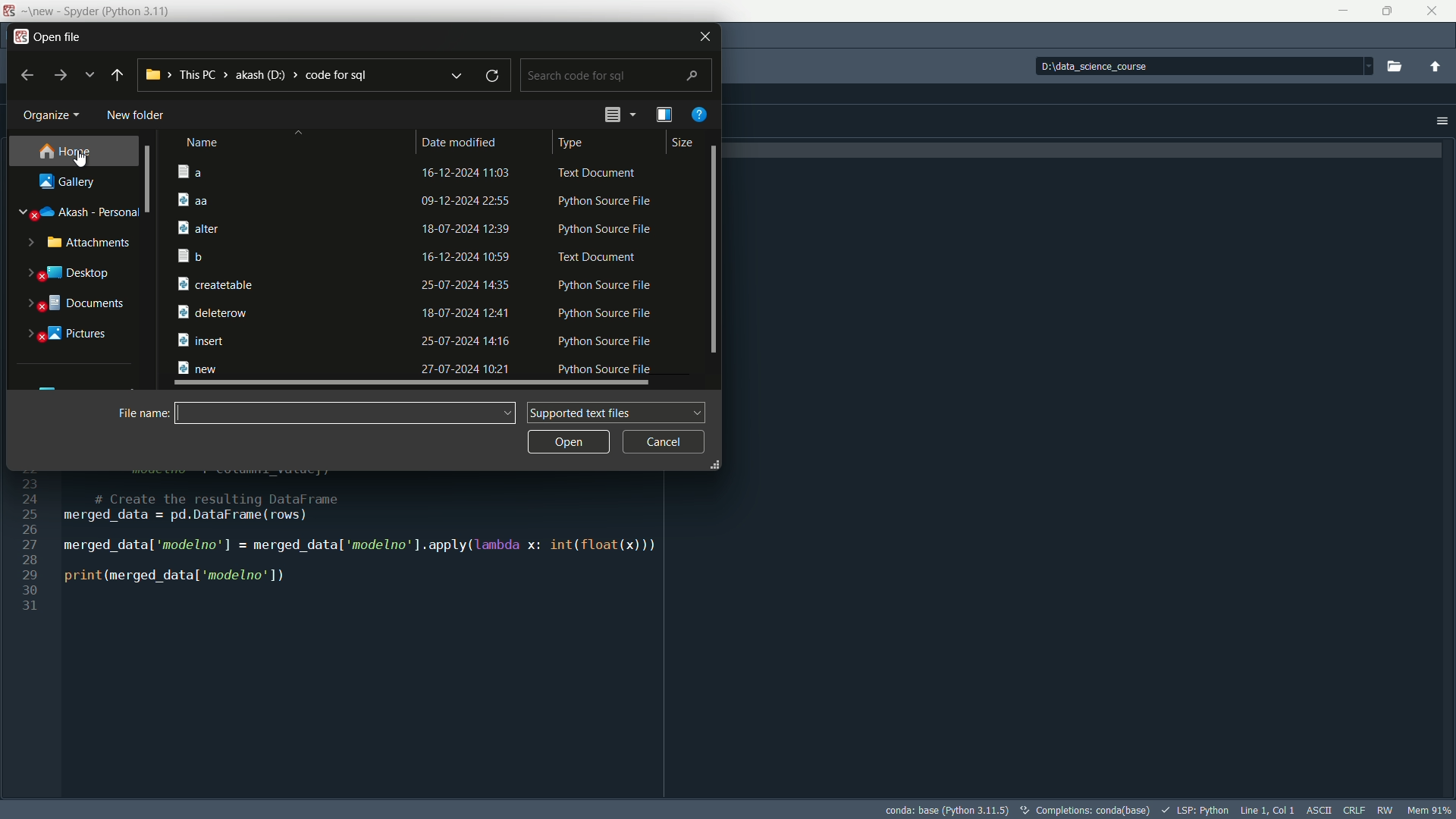  Describe the element at coordinates (1384, 12) in the screenshot. I see `maximize` at that location.